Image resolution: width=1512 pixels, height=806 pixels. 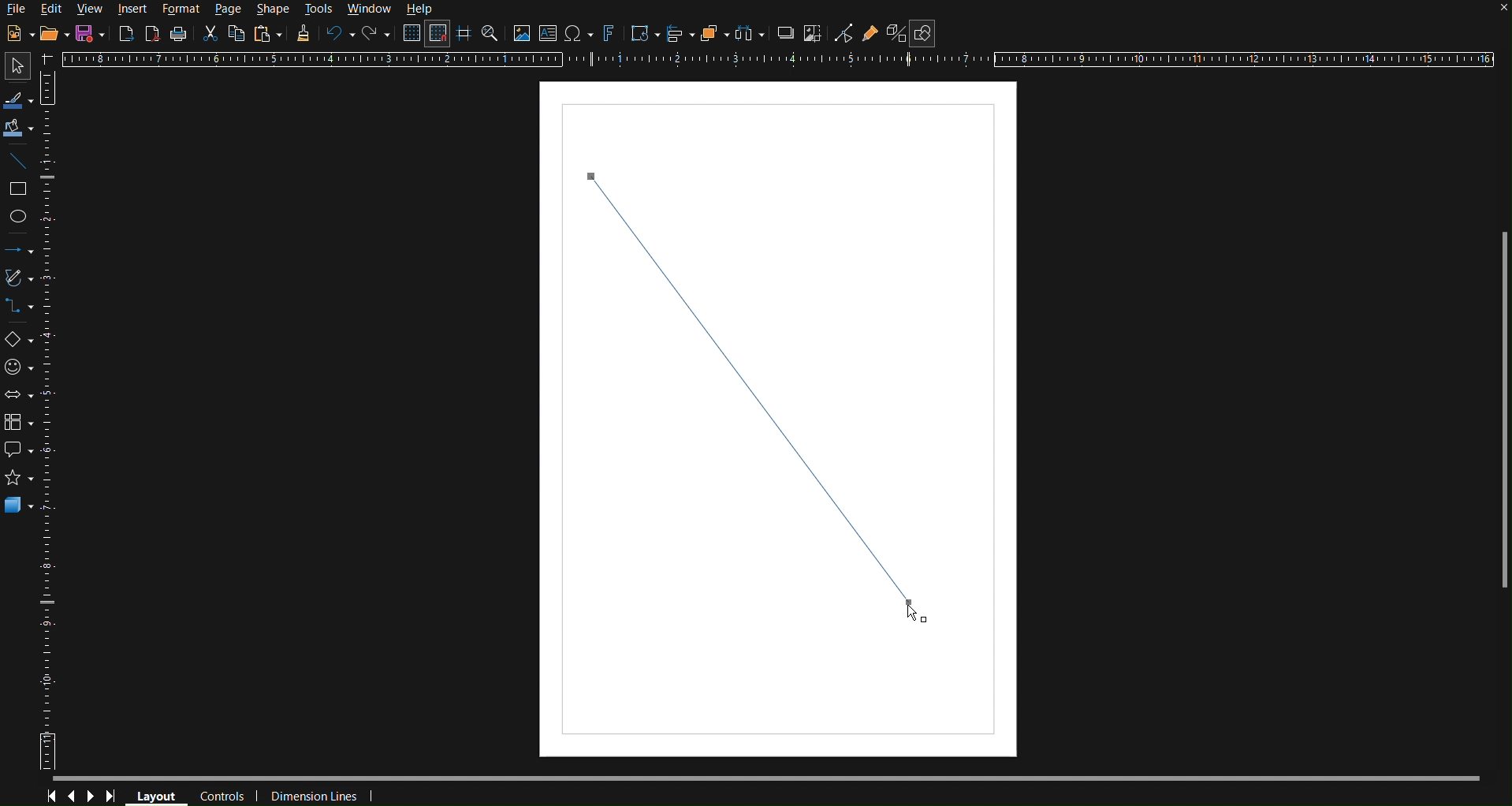 I want to click on Cursor, so click(x=915, y=618).